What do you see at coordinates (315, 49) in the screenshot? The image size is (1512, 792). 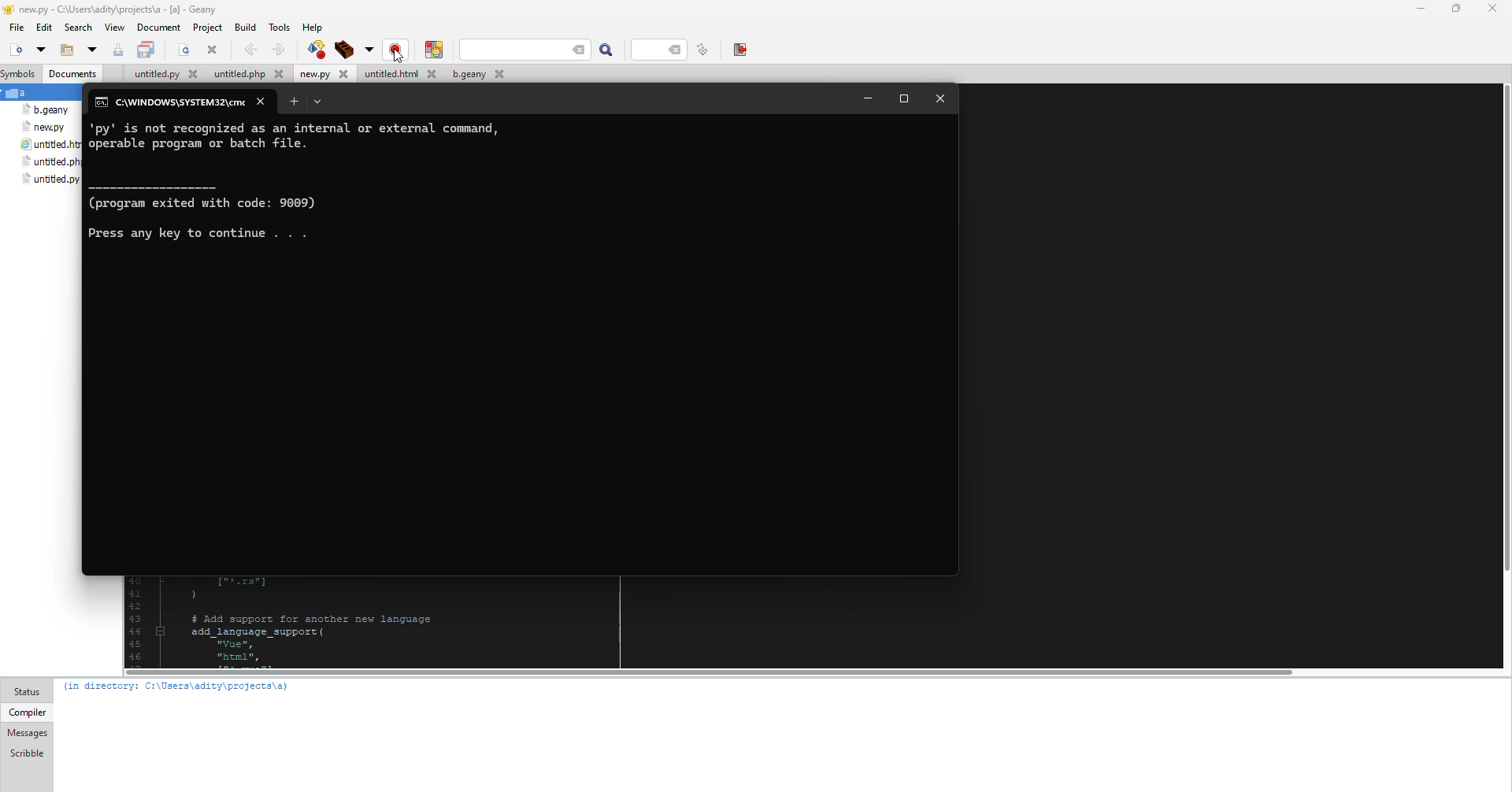 I see `compile` at bounding box center [315, 49].